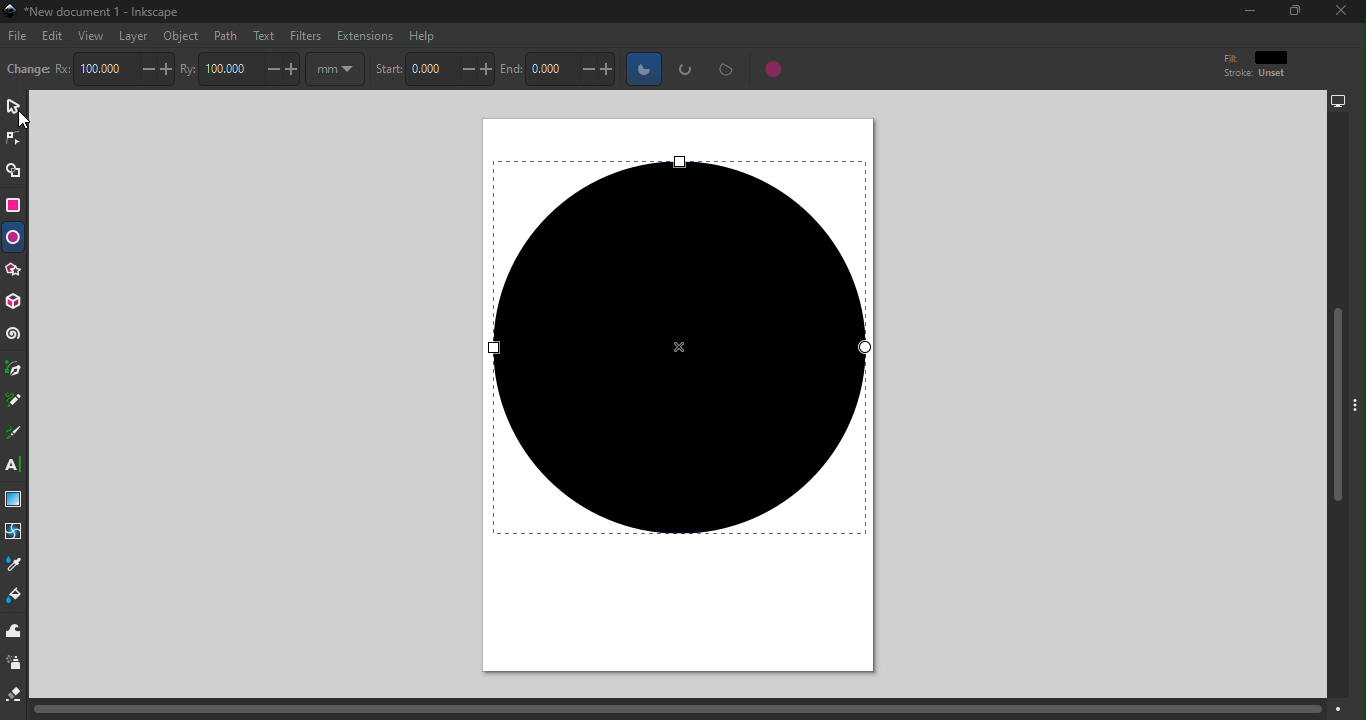 Image resolution: width=1366 pixels, height=720 pixels. I want to click on File name, so click(95, 13).